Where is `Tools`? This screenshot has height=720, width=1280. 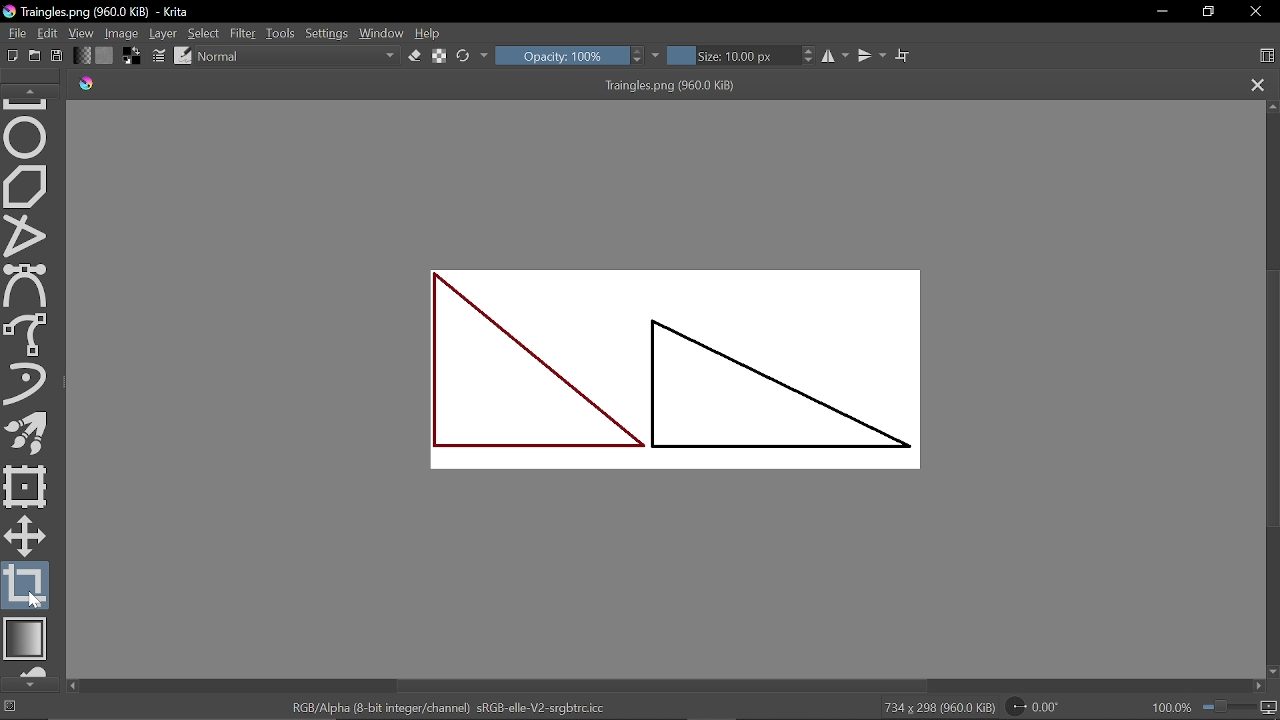
Tools is located at coordinates (281, 33).